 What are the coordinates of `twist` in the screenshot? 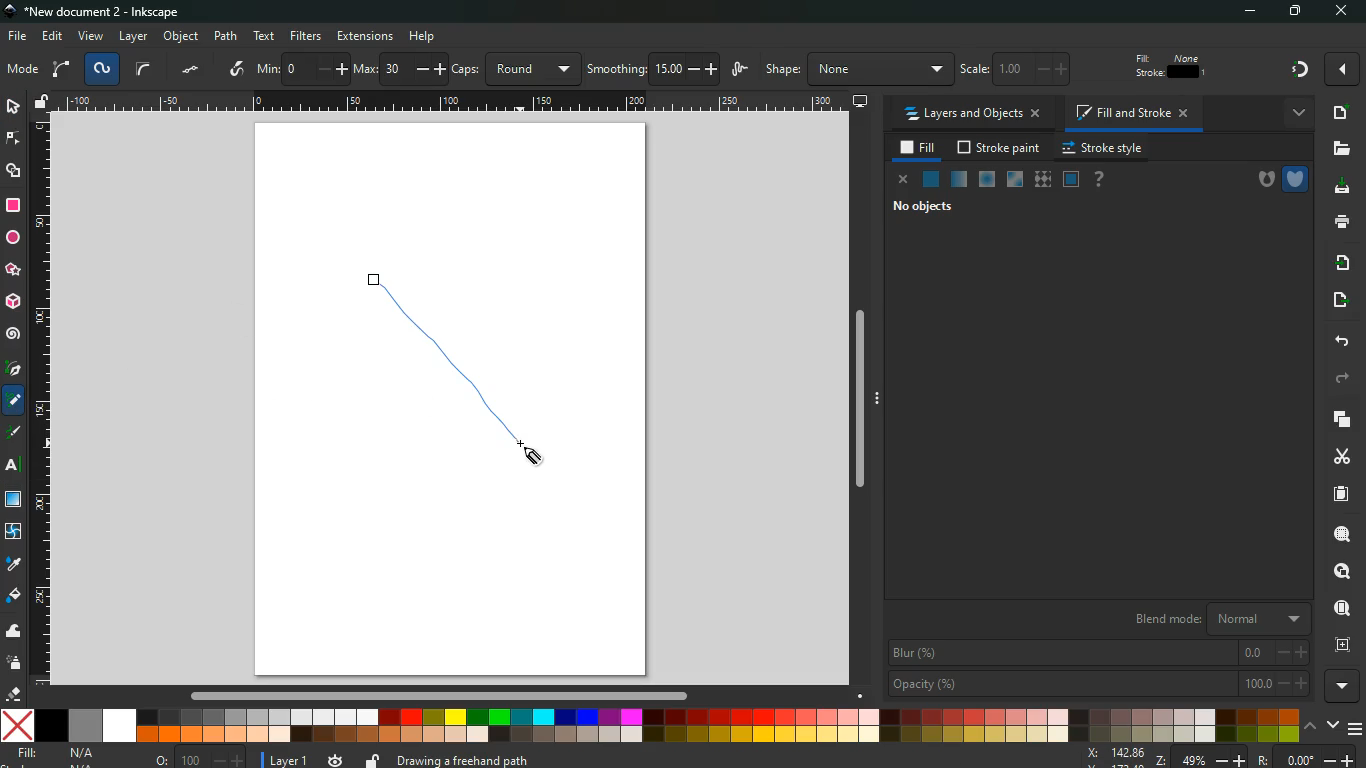 It's located at (14, 533).